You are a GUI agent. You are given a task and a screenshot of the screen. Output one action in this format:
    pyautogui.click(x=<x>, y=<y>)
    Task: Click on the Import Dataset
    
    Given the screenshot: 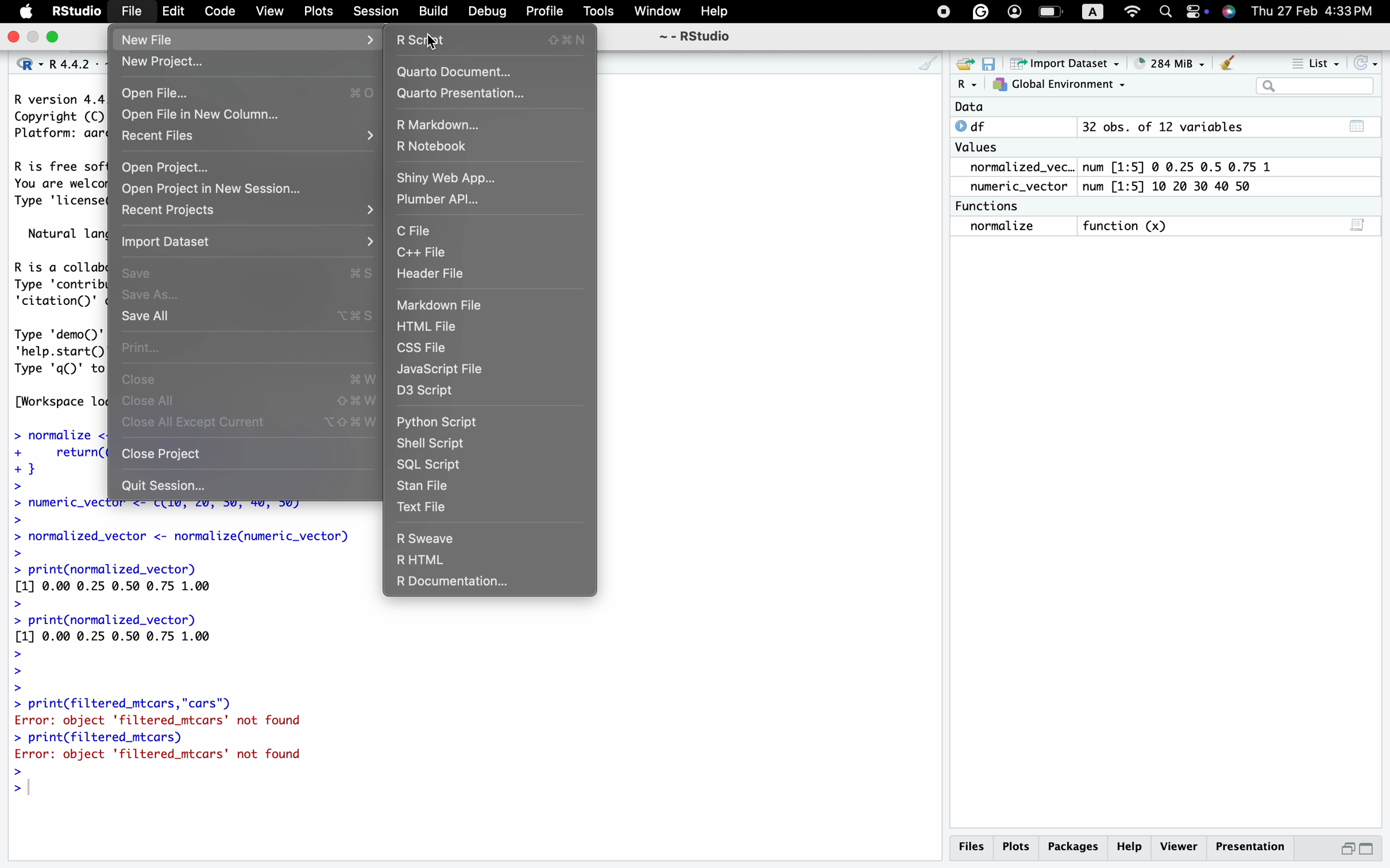 What is the action you would take?
    pyautogui.click(x=174, y=240)
    